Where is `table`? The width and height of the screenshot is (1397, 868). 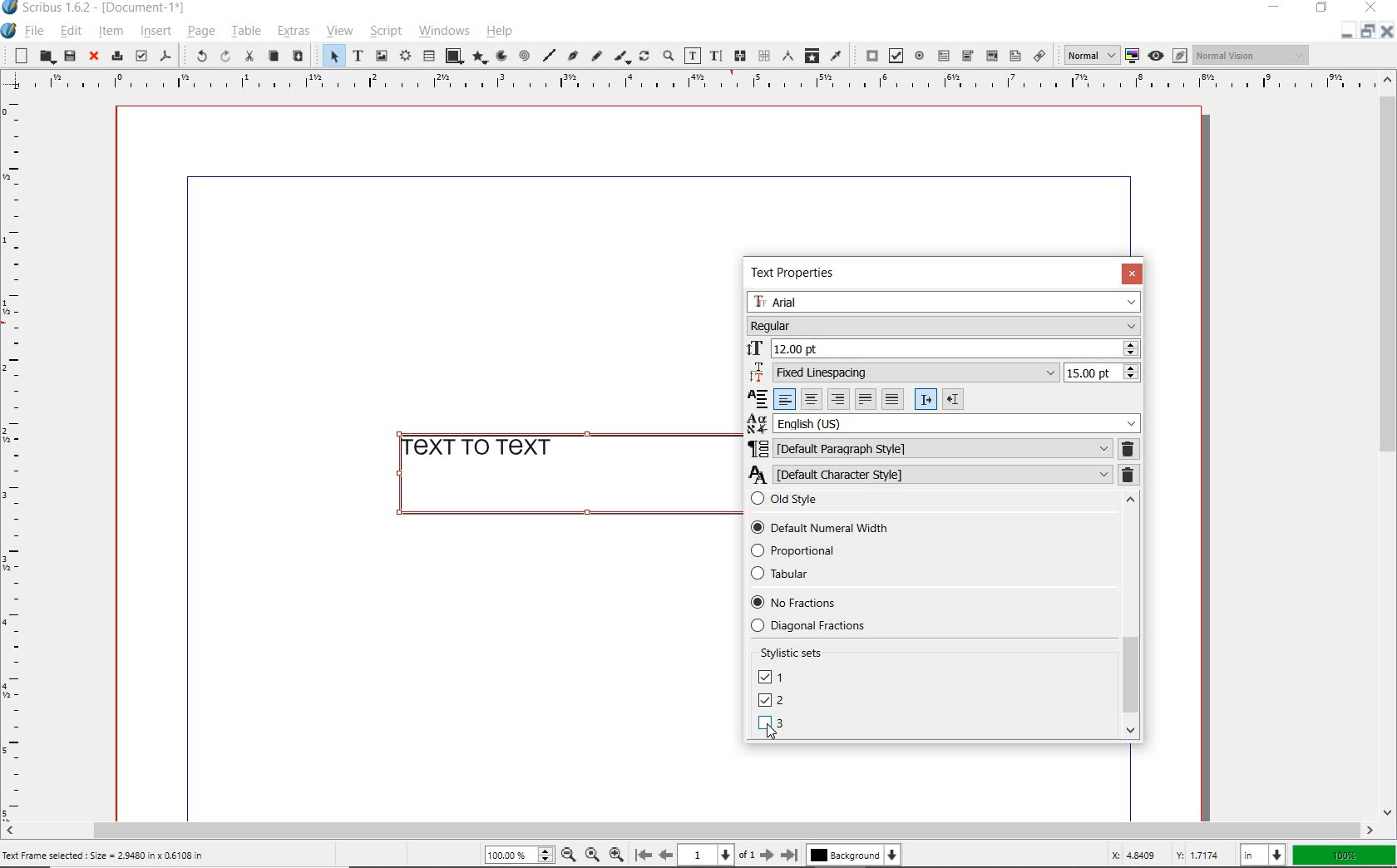
table is located at coordinates (245, 32).